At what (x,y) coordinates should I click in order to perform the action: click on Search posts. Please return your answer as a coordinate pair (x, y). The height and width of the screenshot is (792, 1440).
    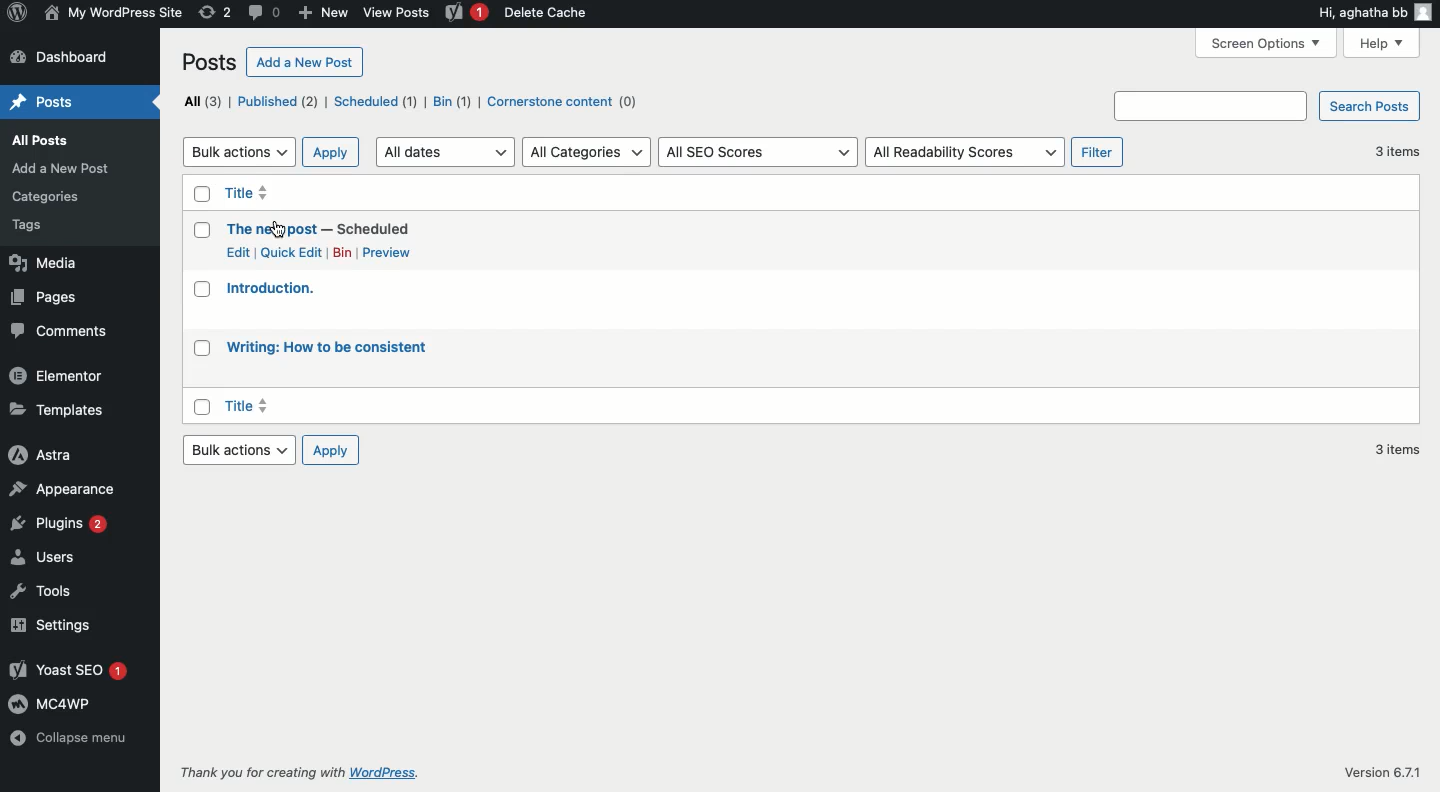
    Looking at the image, I should click on (1268, 106).